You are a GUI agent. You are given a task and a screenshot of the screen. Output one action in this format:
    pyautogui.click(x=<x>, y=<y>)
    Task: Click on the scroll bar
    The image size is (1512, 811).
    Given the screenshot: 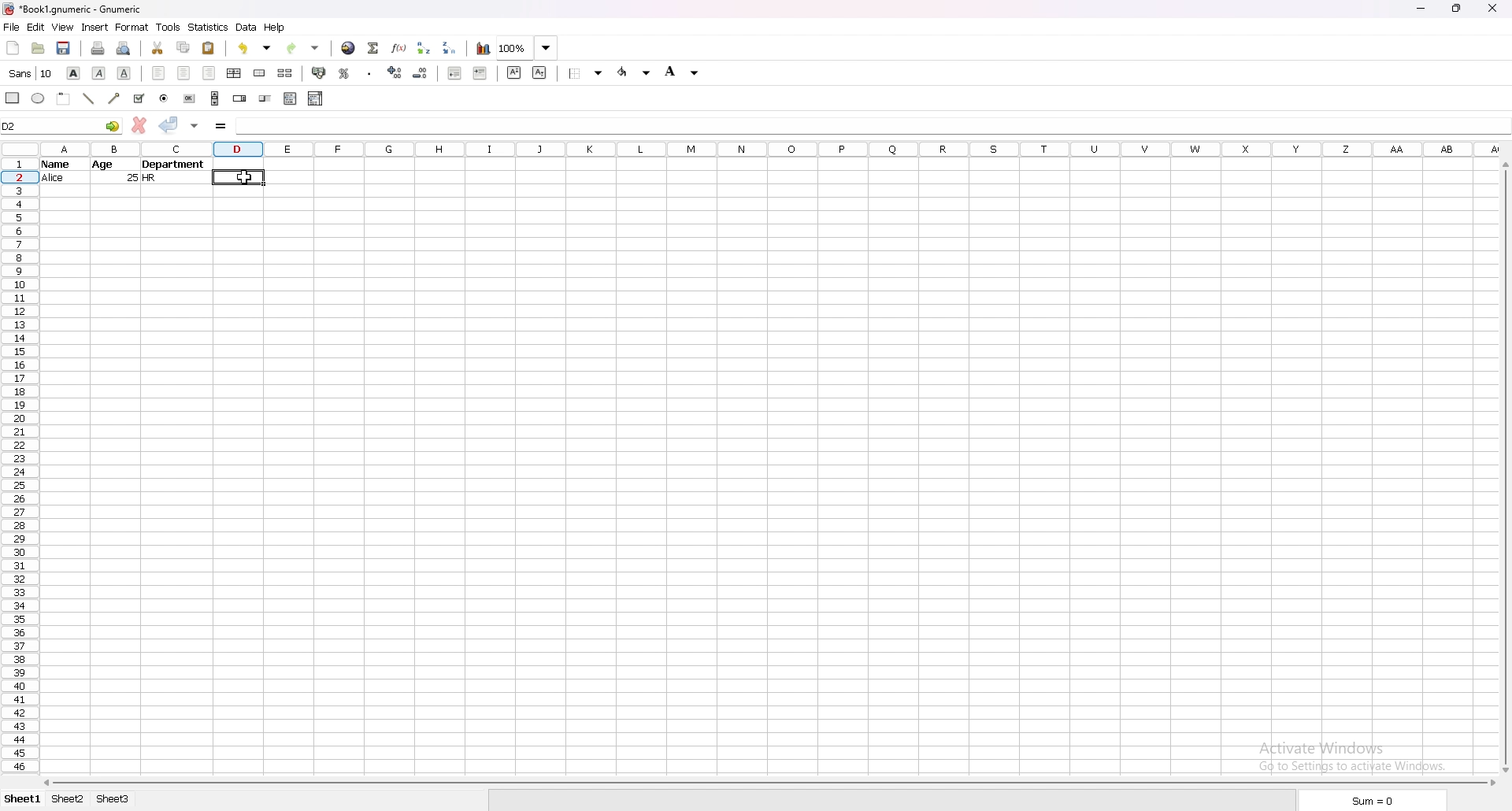 What is the action you would take?
    pyautogui.click(x=216, y=98)
    